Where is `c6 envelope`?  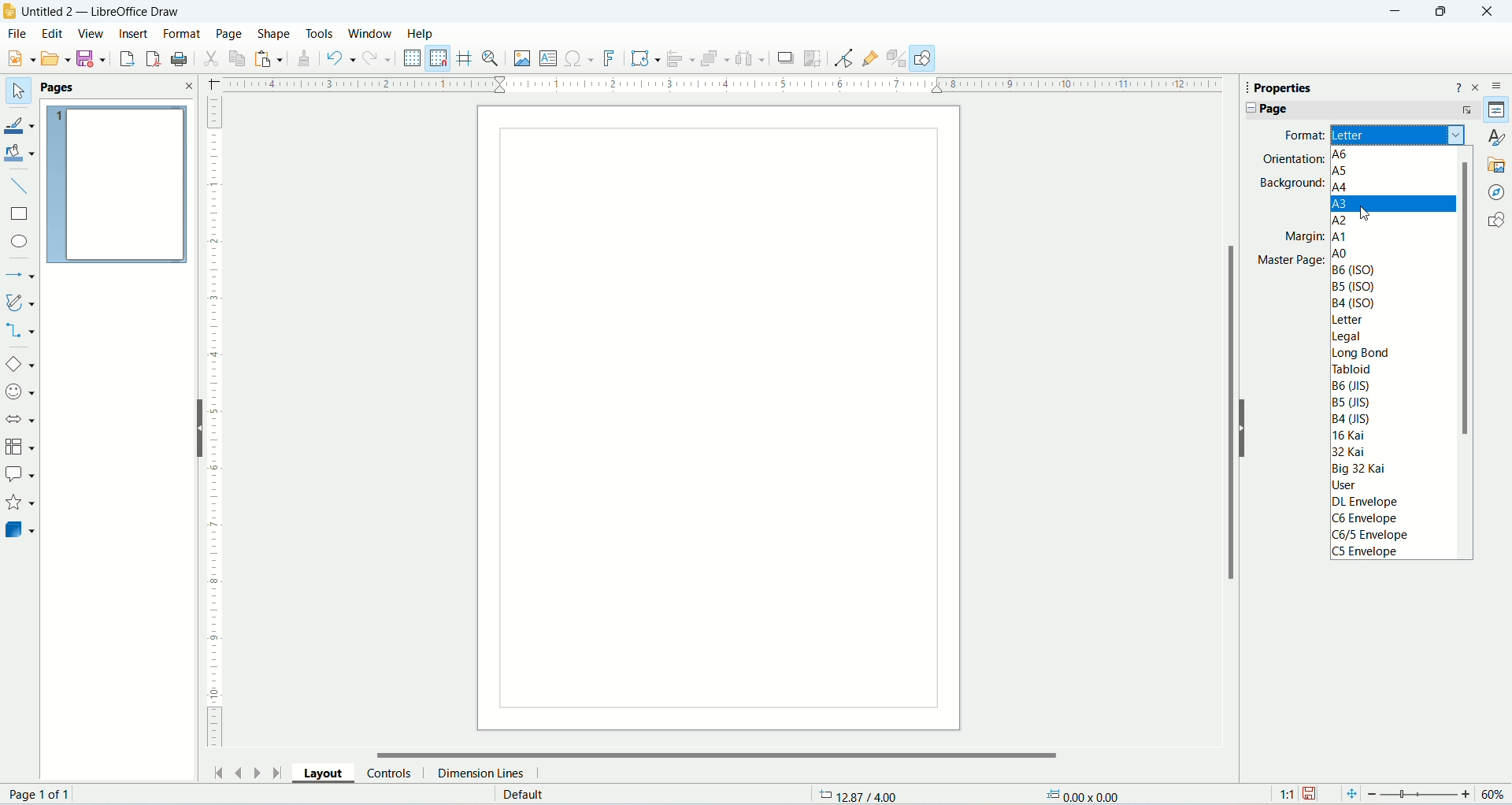
c6 envelope is located at coordinates (1373, 520).